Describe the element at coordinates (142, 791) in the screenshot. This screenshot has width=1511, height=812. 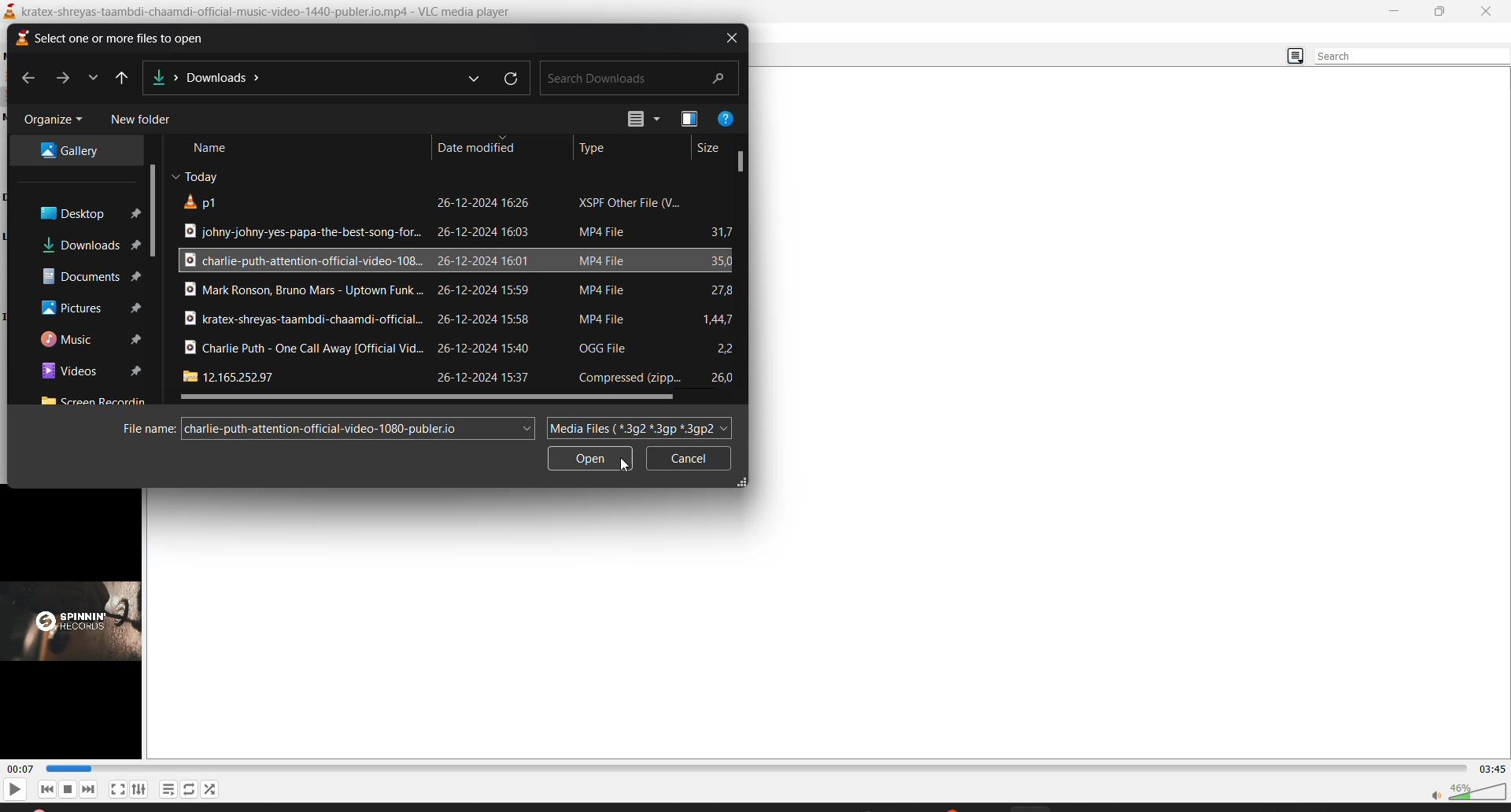
I see `settings` at that location.